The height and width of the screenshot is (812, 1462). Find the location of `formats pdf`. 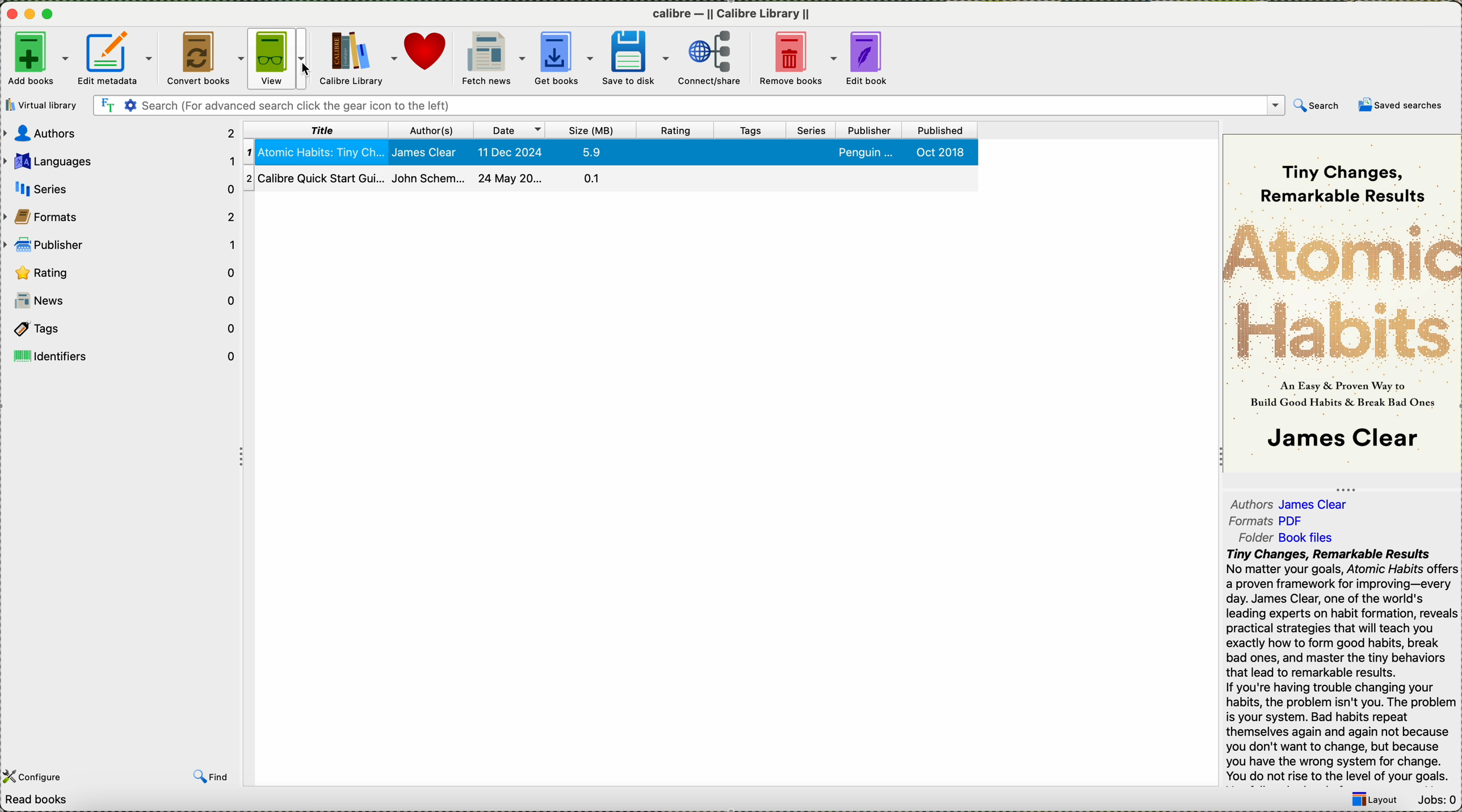

formats pdf is located at coordinates (1269, 520).